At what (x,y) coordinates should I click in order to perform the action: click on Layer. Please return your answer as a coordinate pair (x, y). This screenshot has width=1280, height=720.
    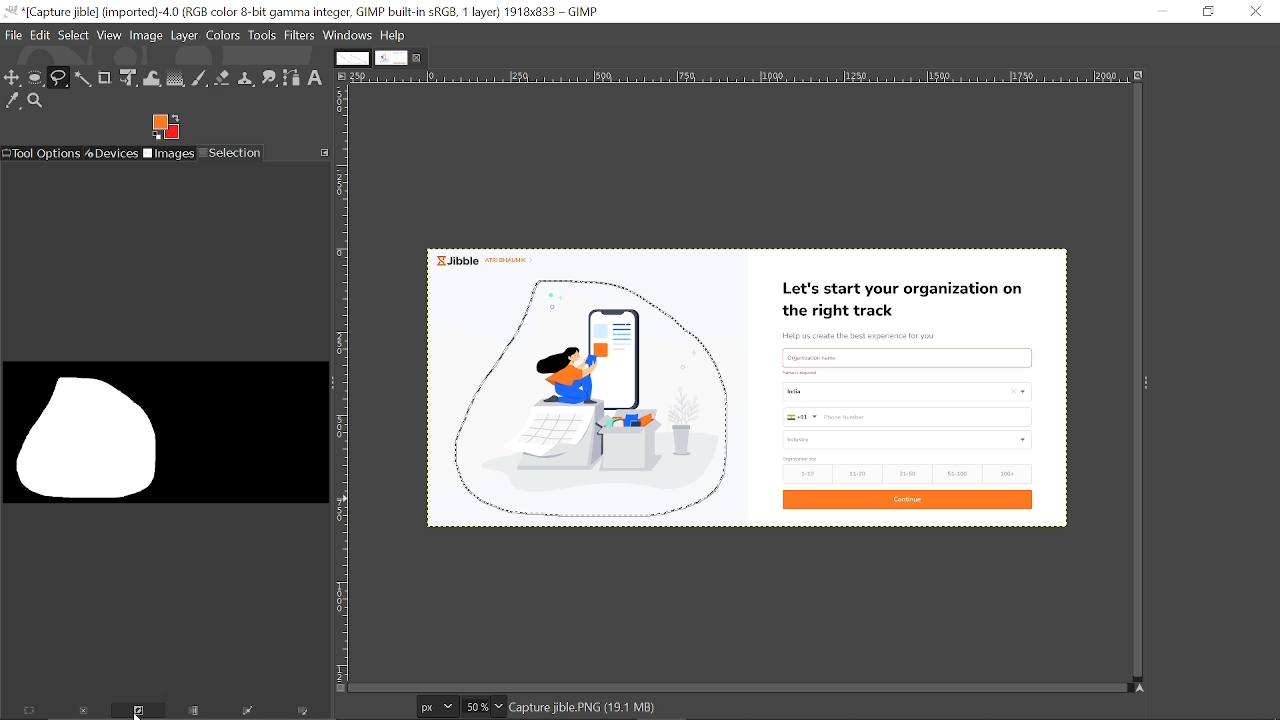
    Looking at the image, I should click on (185, 35).